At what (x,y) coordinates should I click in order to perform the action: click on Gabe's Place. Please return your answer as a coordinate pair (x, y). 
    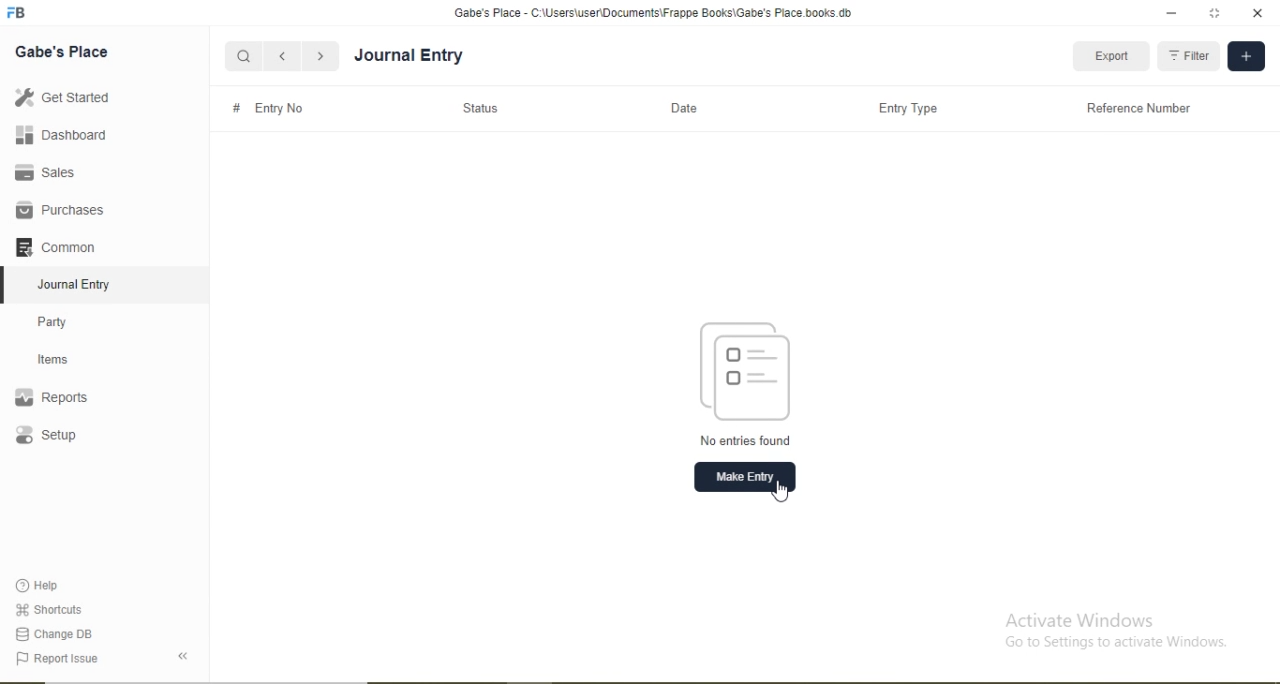
    Looking at the image, I should click on (64, 51).